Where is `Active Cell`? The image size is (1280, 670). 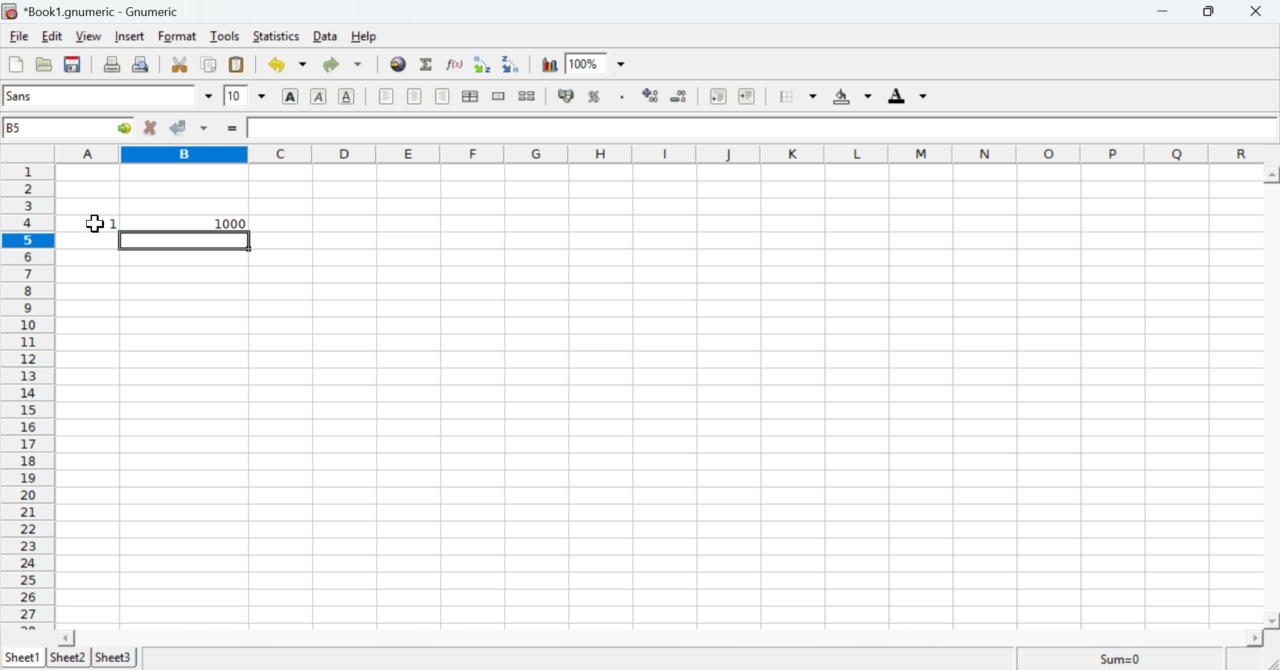 Active Cell is located at coordinates (67, 128).